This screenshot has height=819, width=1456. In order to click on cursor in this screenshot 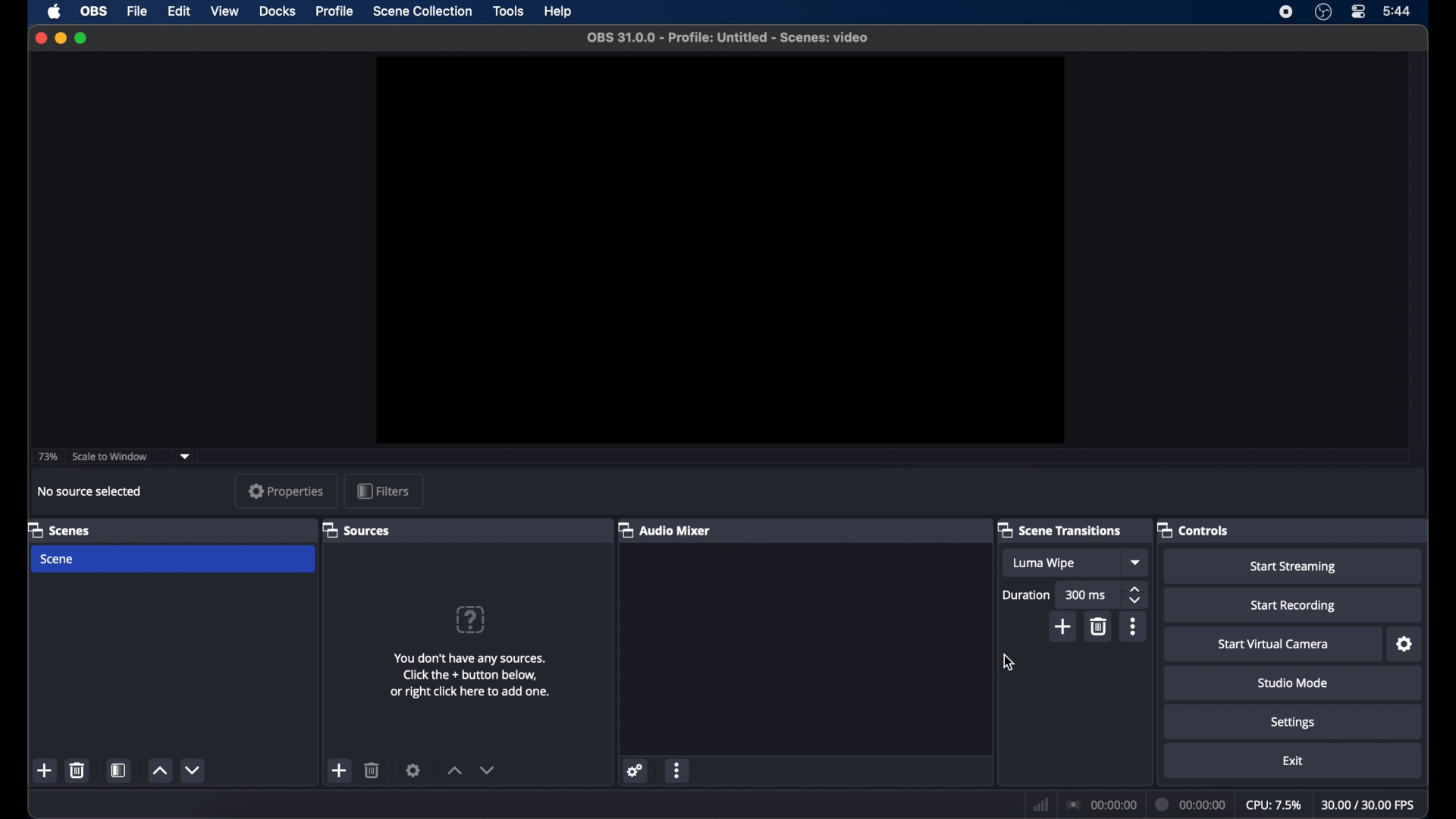, I will do `click(1009, 662)`.